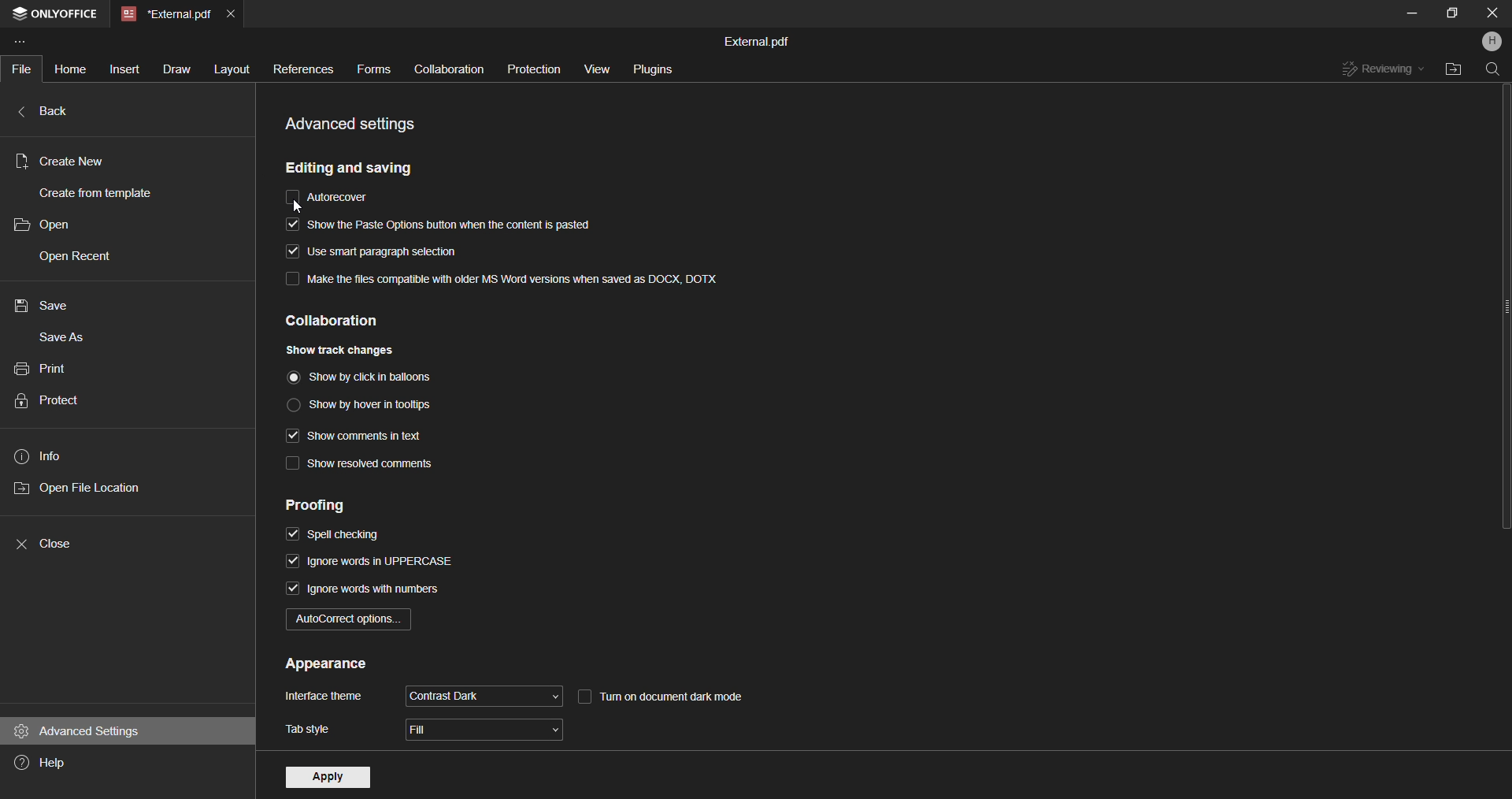  What do you see at coordinates (681, 694) in the screenshot?
I see `turn on dark mode` at bounding box center [681, 694].